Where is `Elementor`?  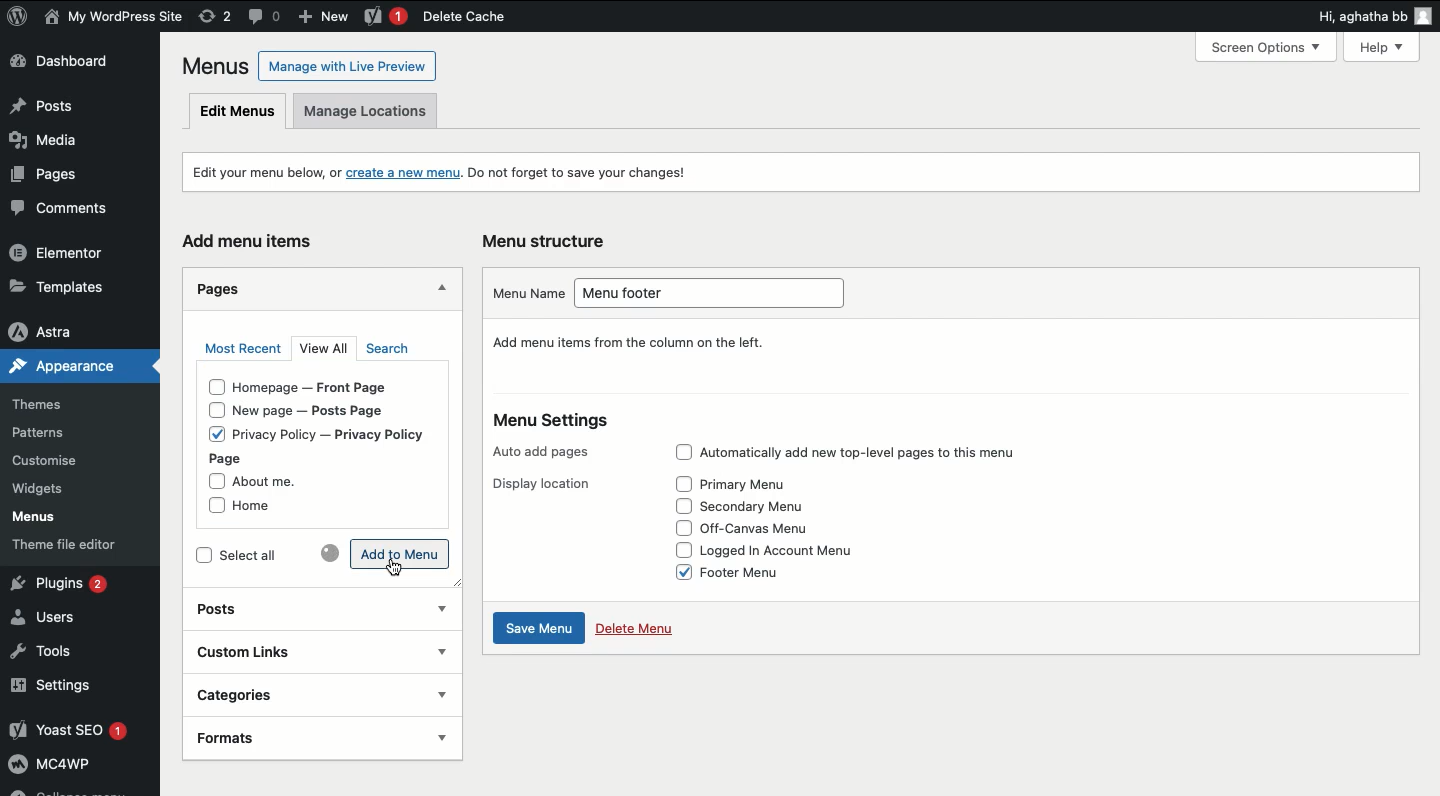 Elementor is located at coordinates (68, 254).